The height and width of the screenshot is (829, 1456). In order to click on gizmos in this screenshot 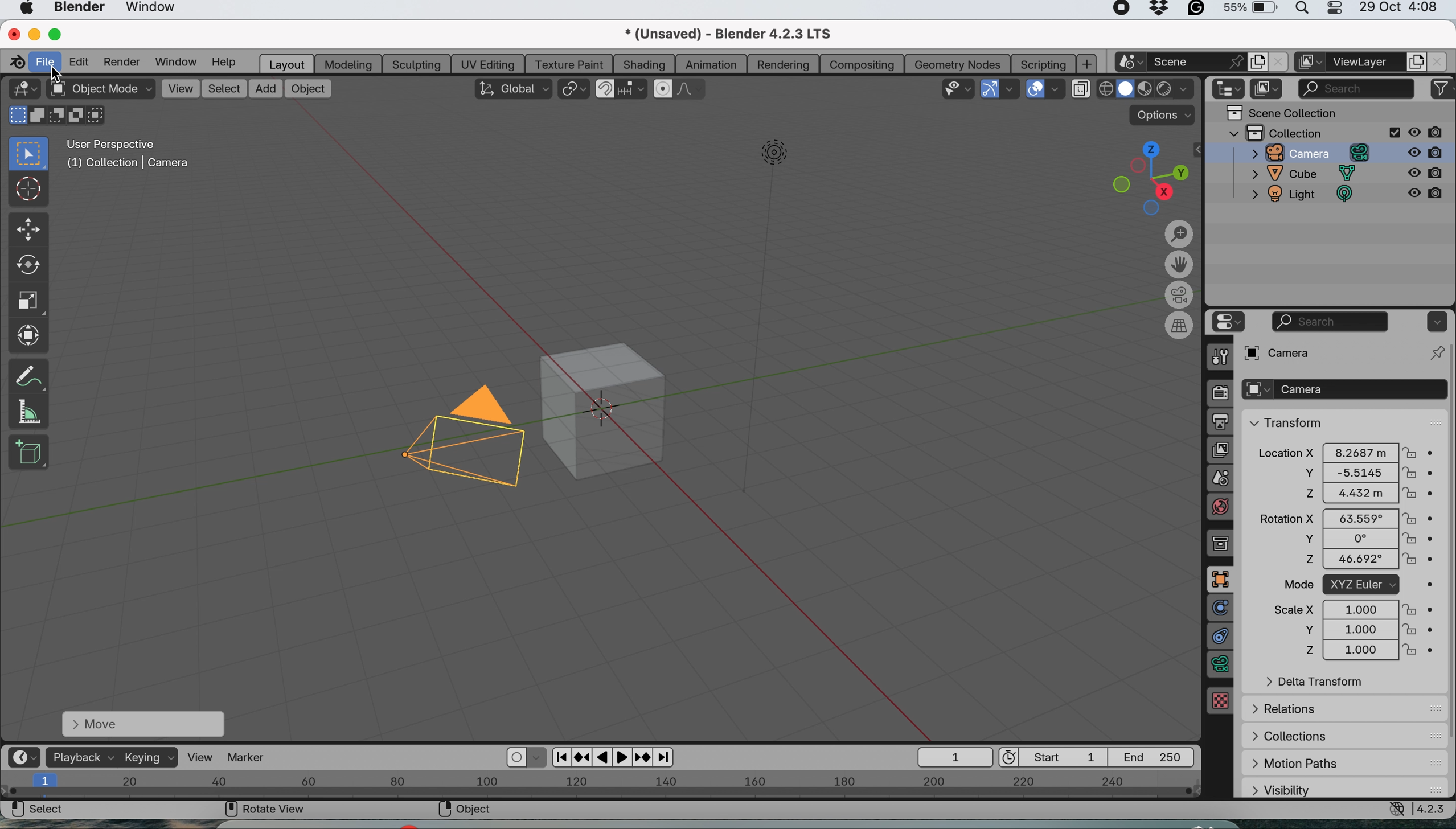, I will do `click(1012, 89)`.